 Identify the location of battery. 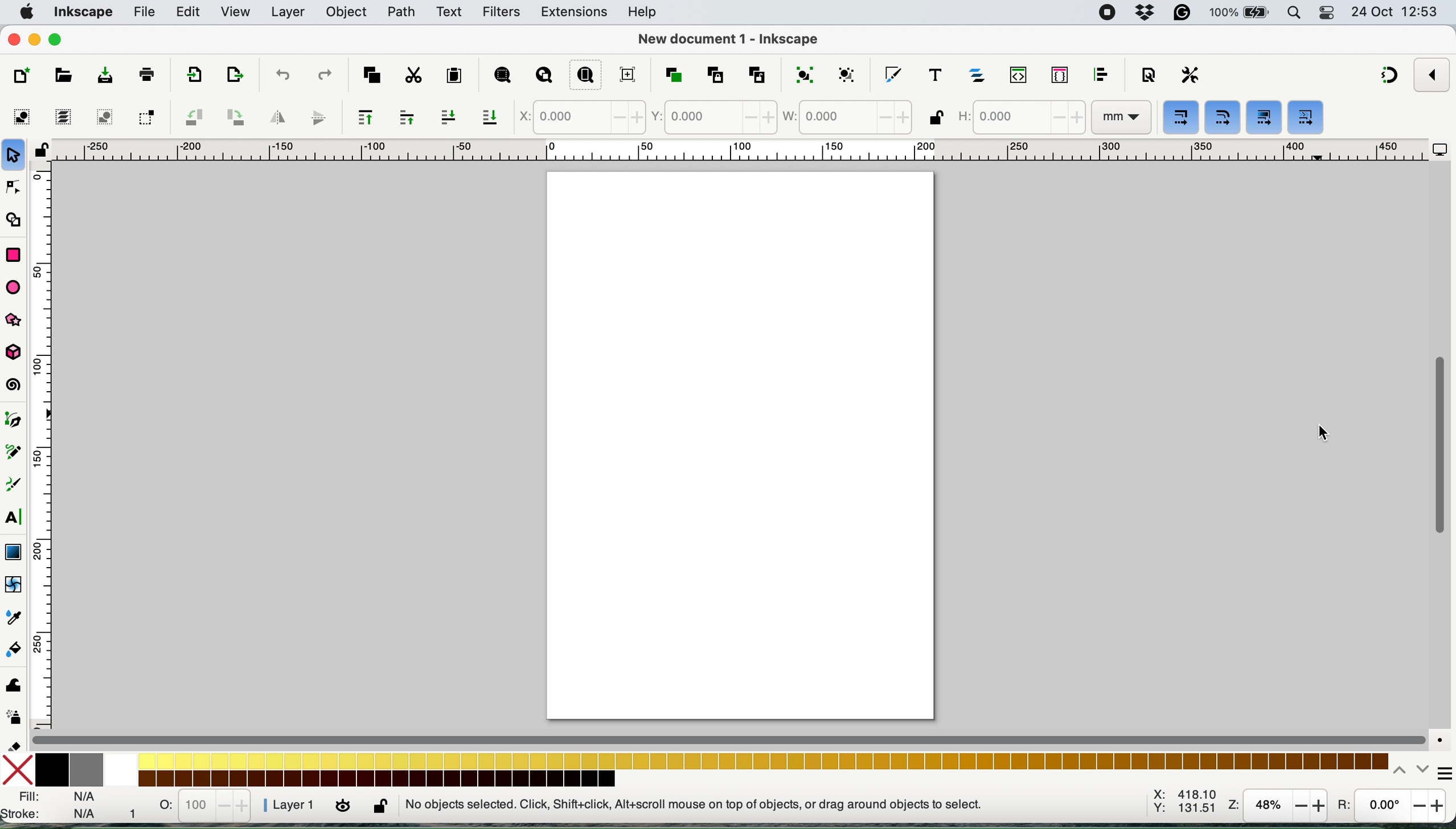
(1238, 12).